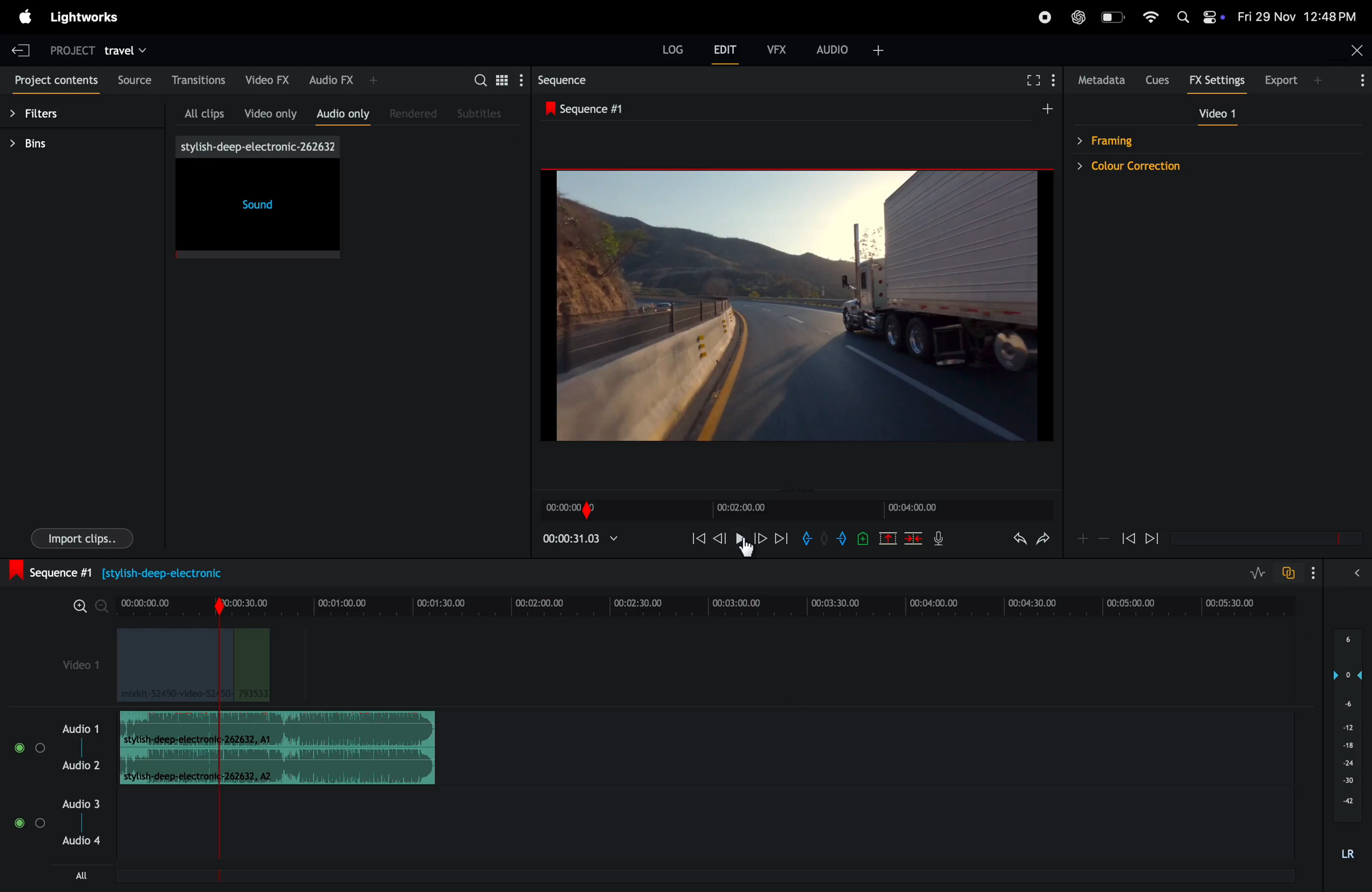 Image resolution: width=1372 pixels, height=892 pixels. What do you see at coordinates (694, 537) in the screenshot?
I see `previous frame` at bounding box center [694, 537].